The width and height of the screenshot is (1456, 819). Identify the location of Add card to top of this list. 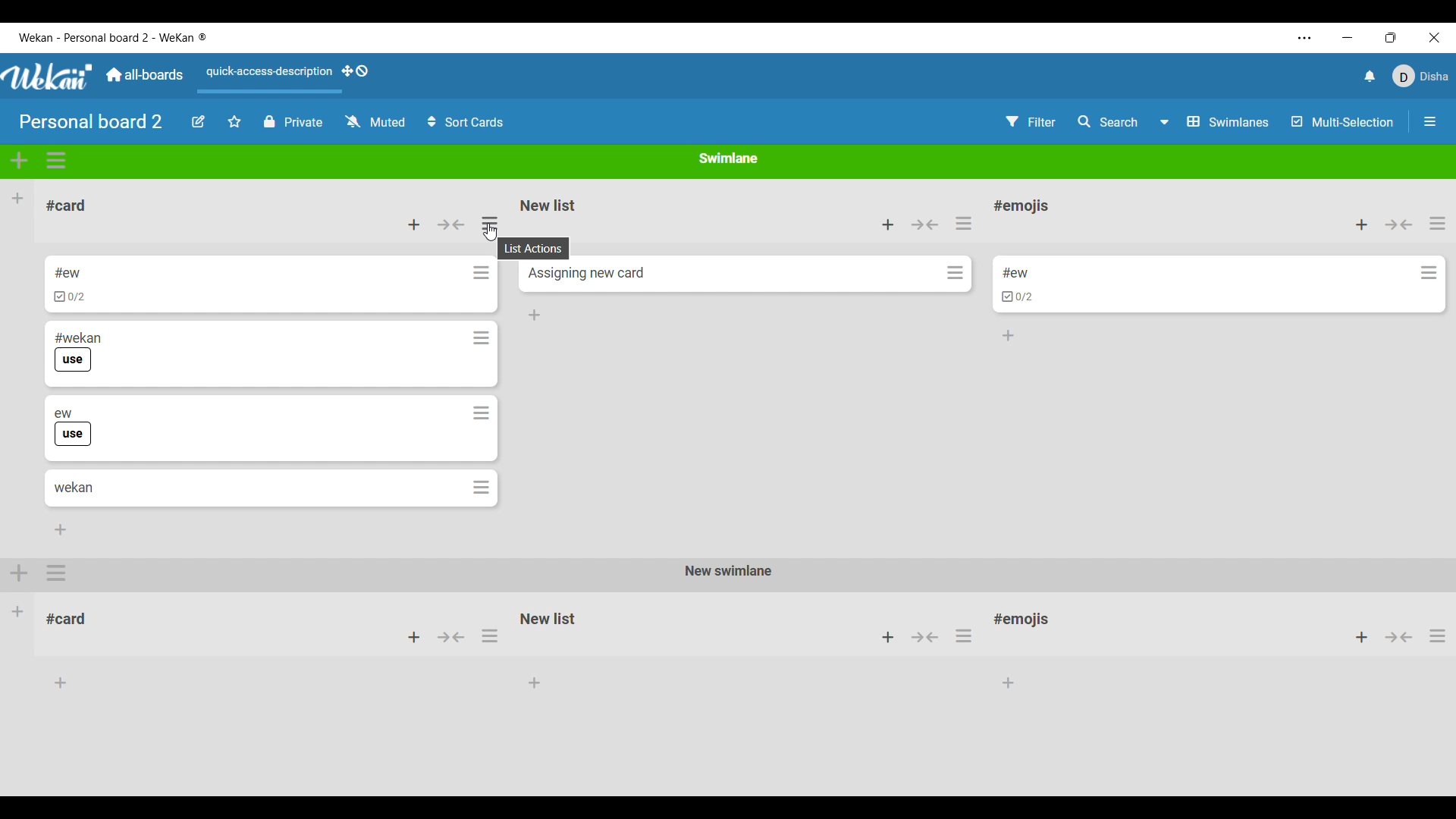
(888, 224).